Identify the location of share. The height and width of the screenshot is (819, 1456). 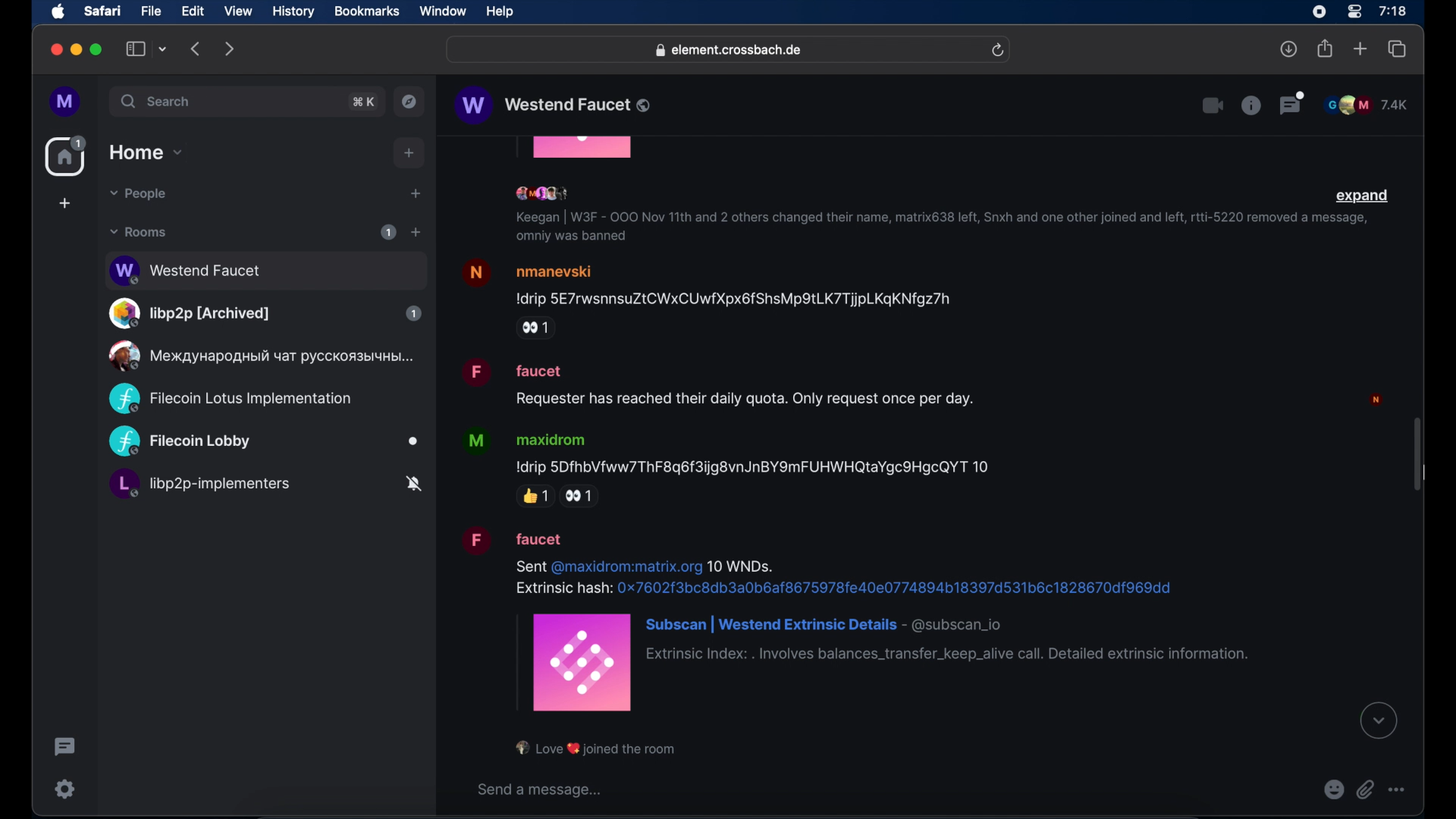
(1326, 49).